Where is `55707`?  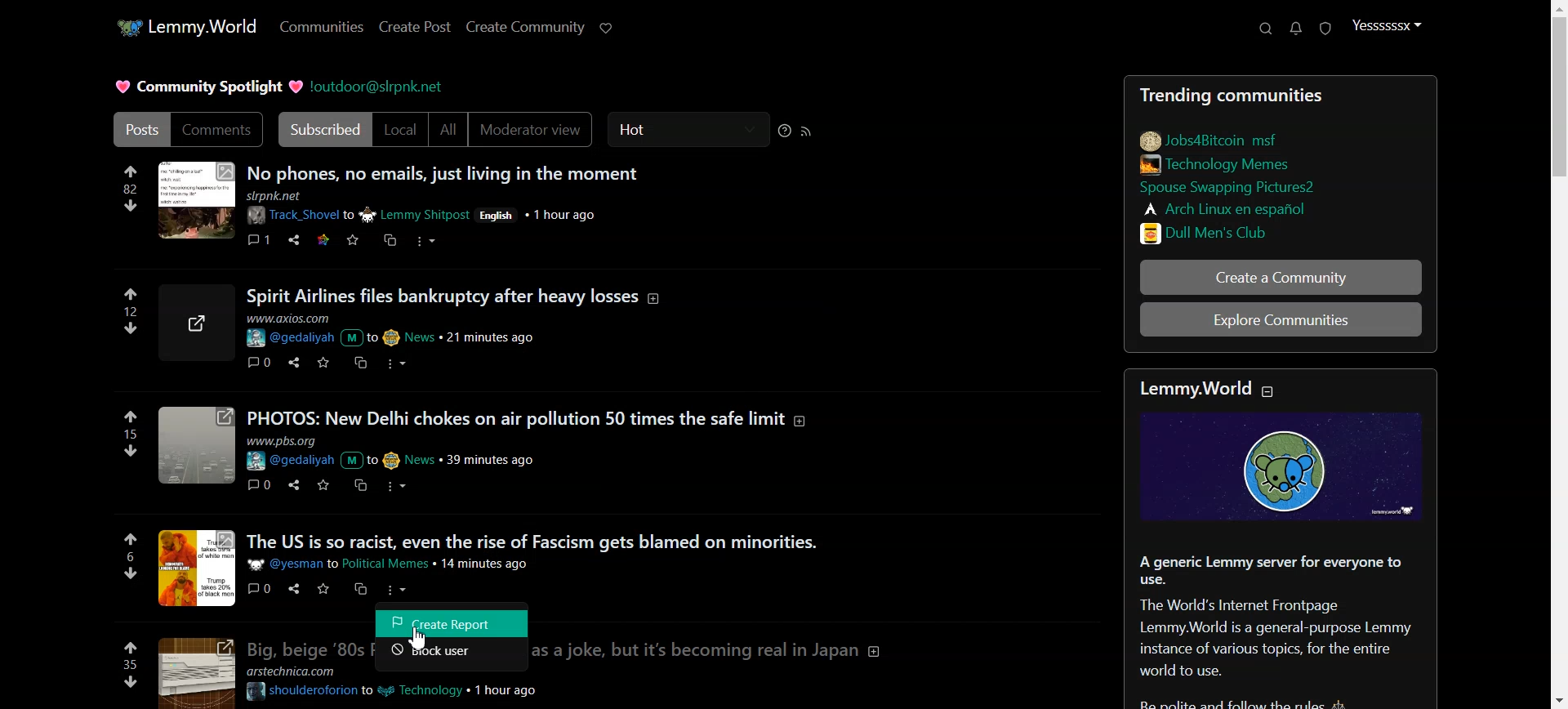
55707 is located at coordinates (132, 326).